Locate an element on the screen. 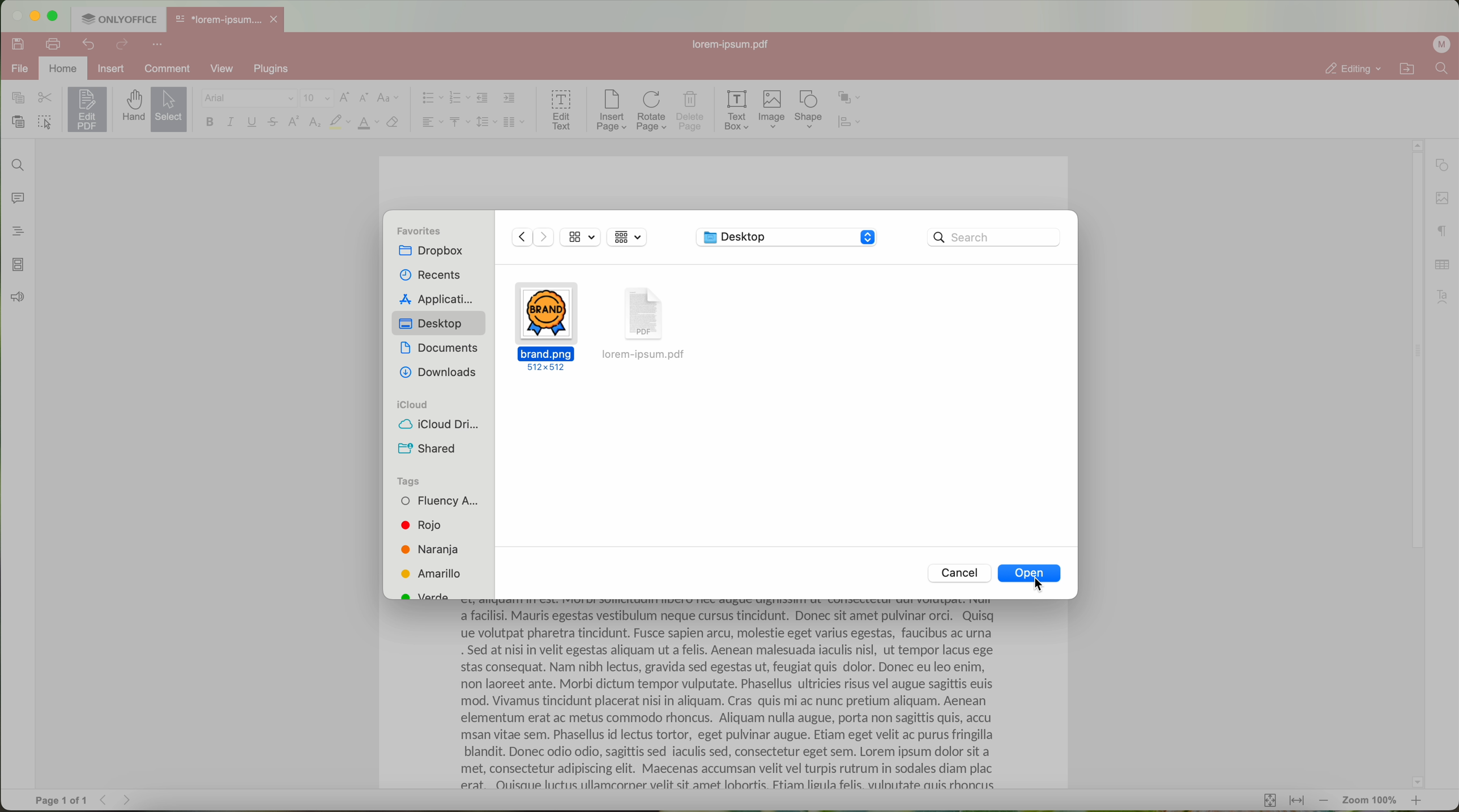 Image resolution: width=1459 pixels, height=812 pixels. Open is located at coordinates (1029, 572).